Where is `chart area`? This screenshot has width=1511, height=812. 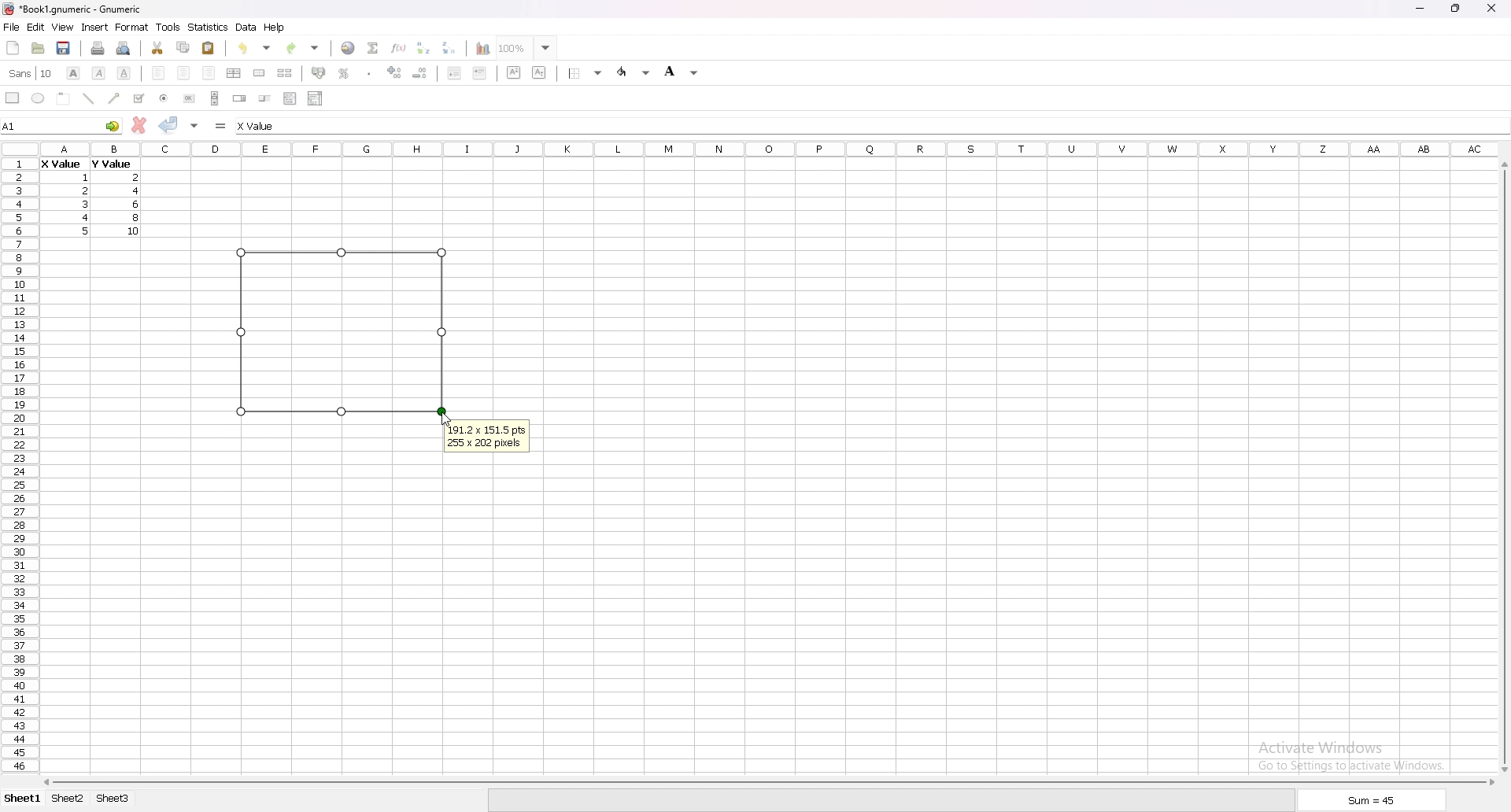 chart area is located at coordinates (342, 330).